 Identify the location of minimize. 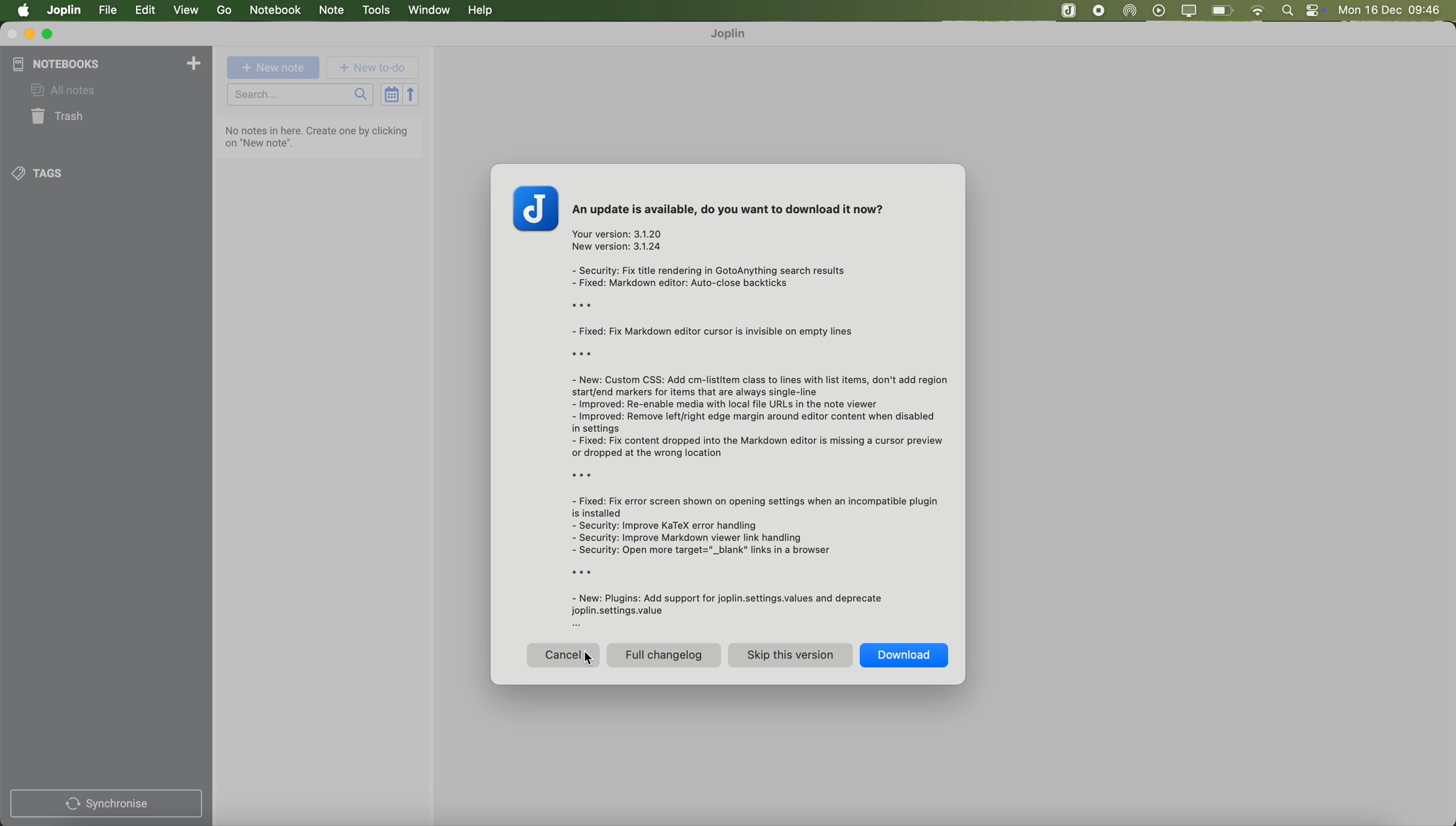
(30, 35).